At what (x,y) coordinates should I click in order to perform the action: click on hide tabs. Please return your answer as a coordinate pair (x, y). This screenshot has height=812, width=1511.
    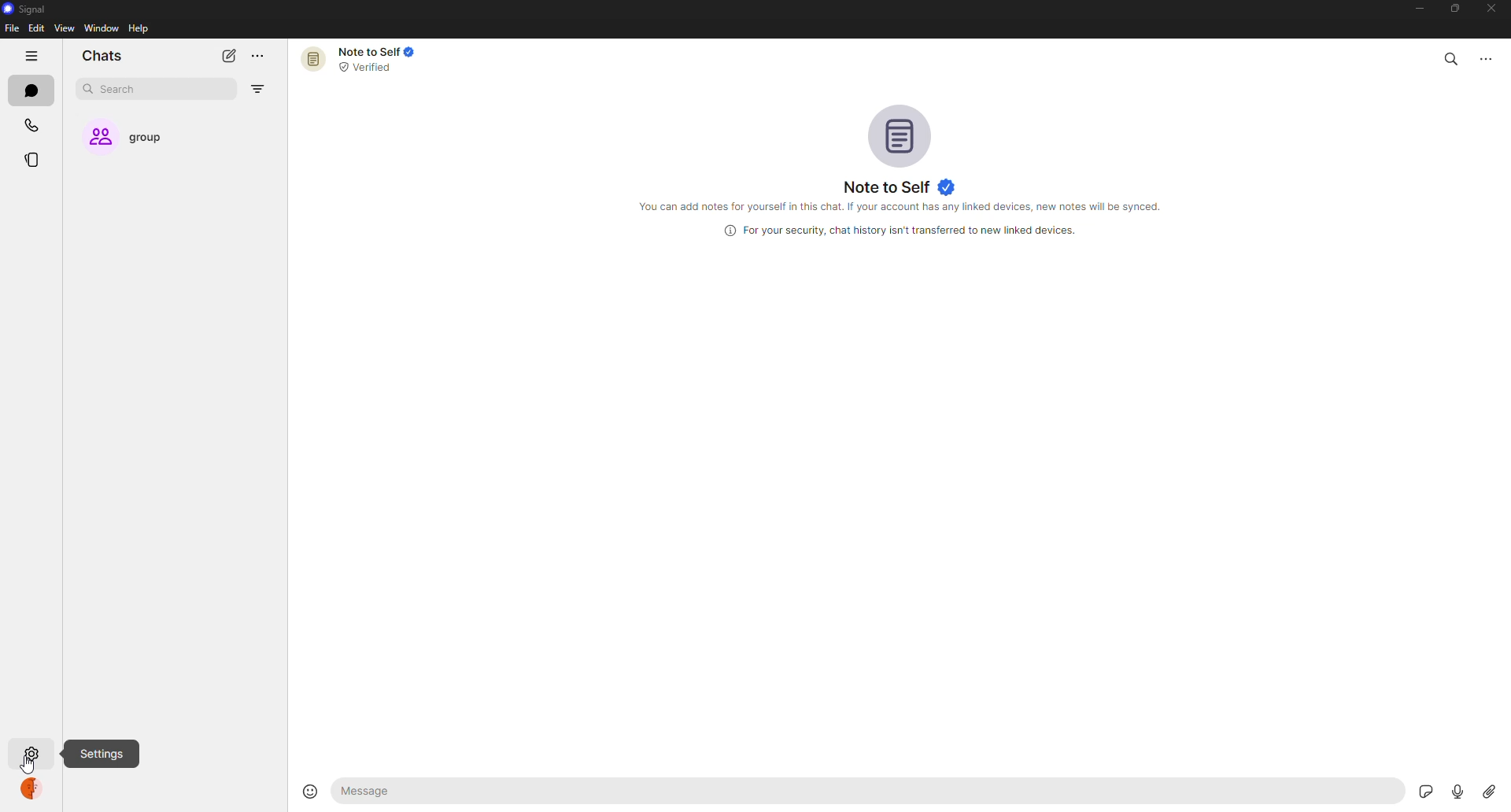
    Looking at the image, I should click on (33, 57).